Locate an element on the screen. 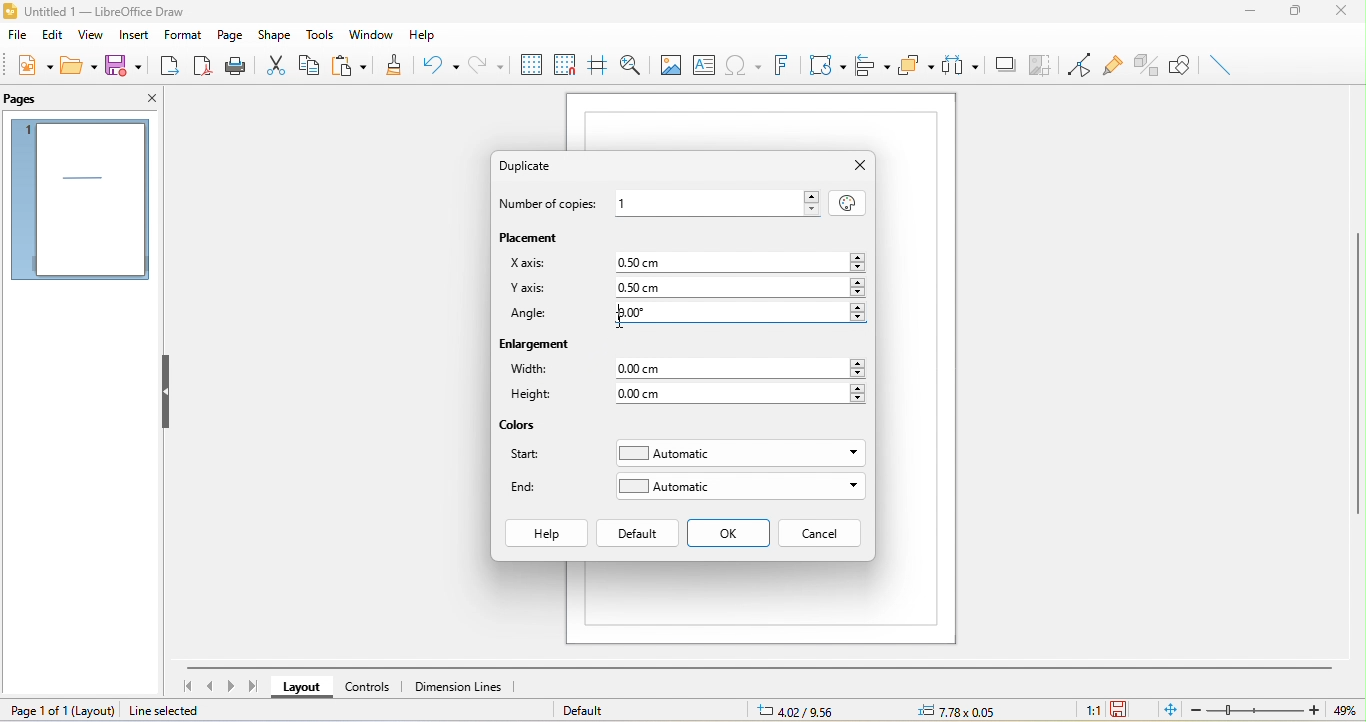 The image size is (1366, 722). 0.50 cm is located at coordinates (732, 261).